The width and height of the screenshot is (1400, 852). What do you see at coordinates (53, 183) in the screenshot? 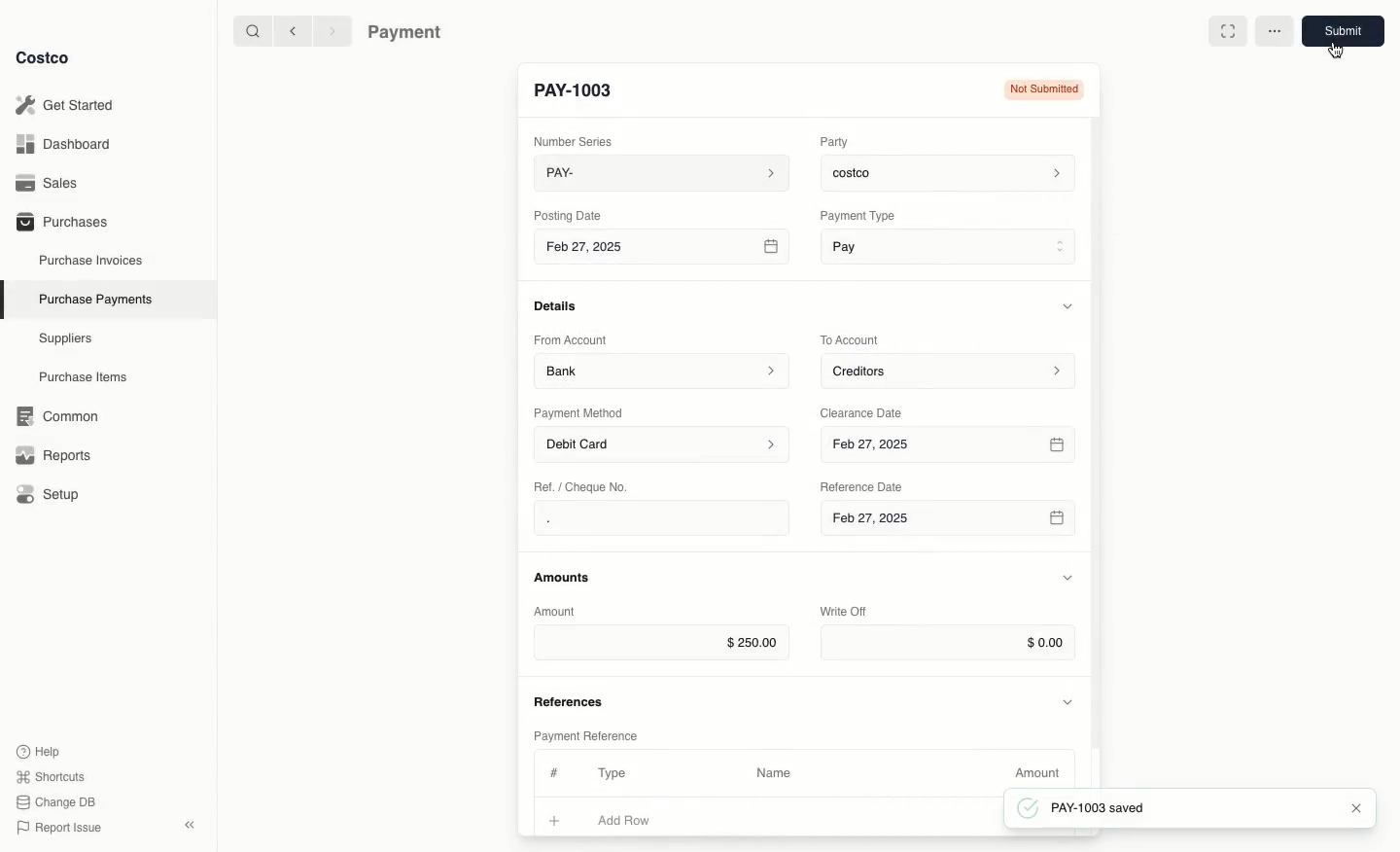
I see `Sales` at bounding box center [53, 183].